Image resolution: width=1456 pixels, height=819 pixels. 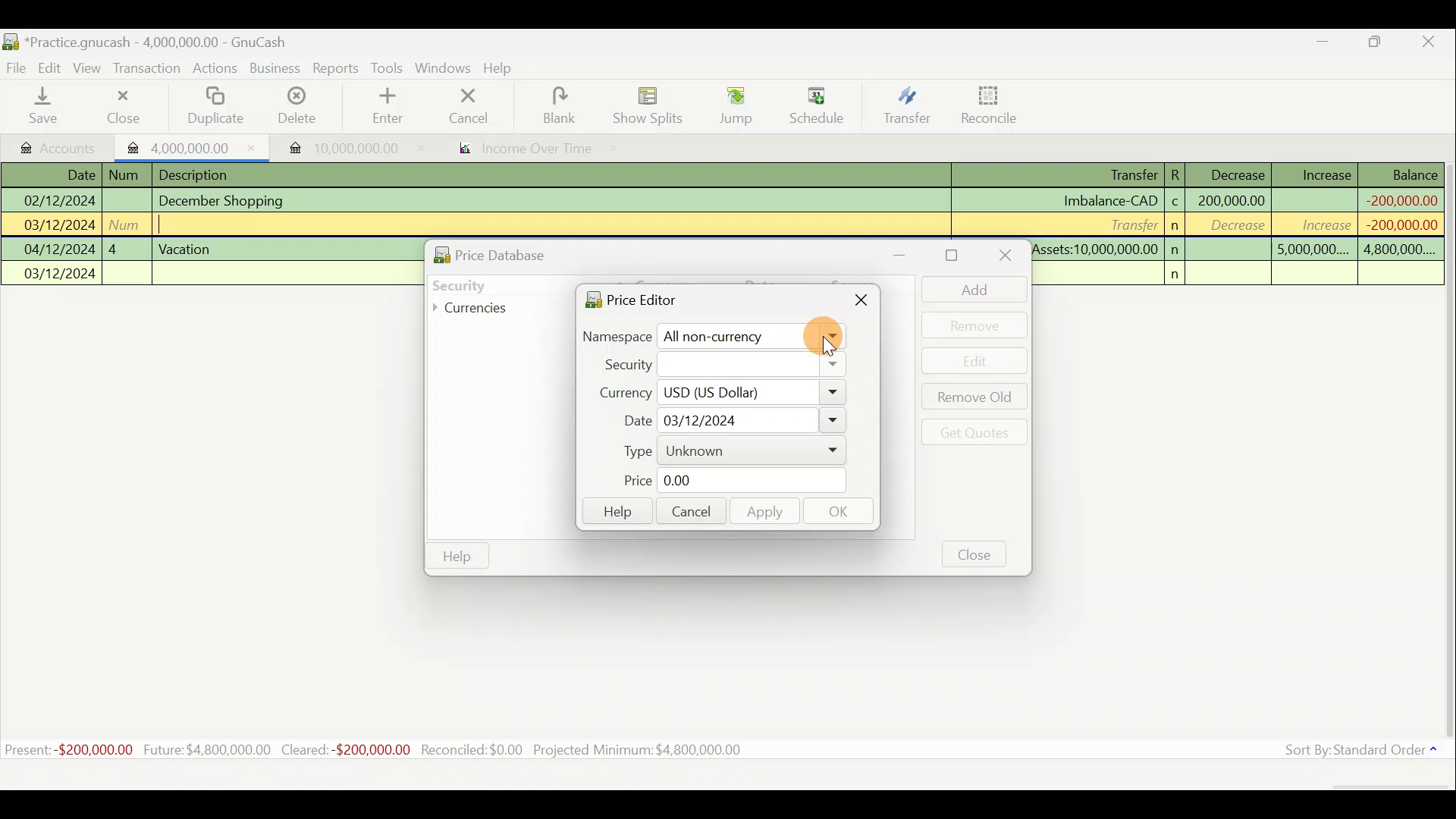 What do you see at coordinates (218, 106) in the screenshot?
I see `Duplicate` at bounding box center [218, 106].